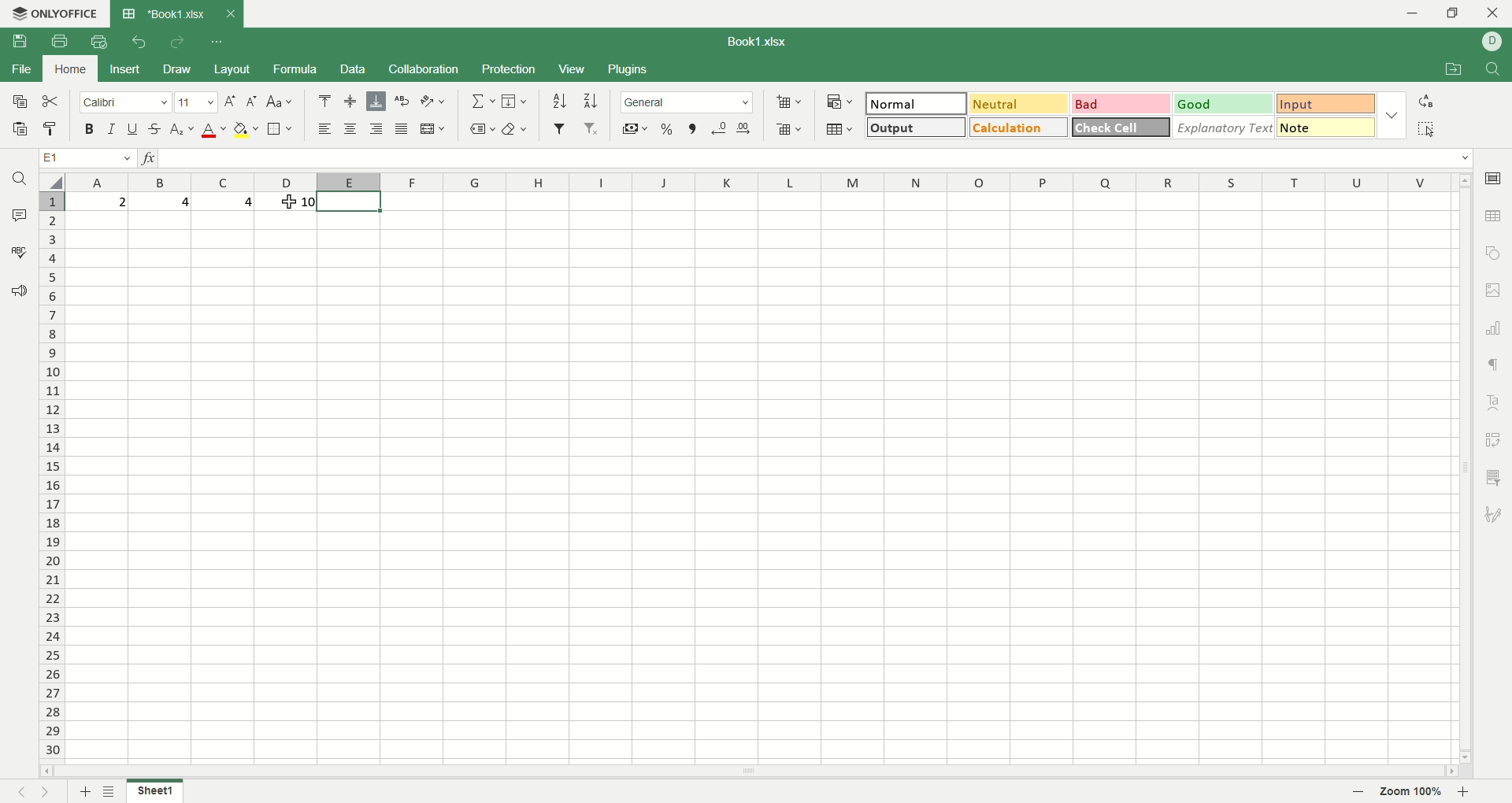 Image resolution: width=1512 pixels, height=803 pixels. Describe the element at coordinates (1494, 481) in the screenshot. I see `slice settings` at that location.